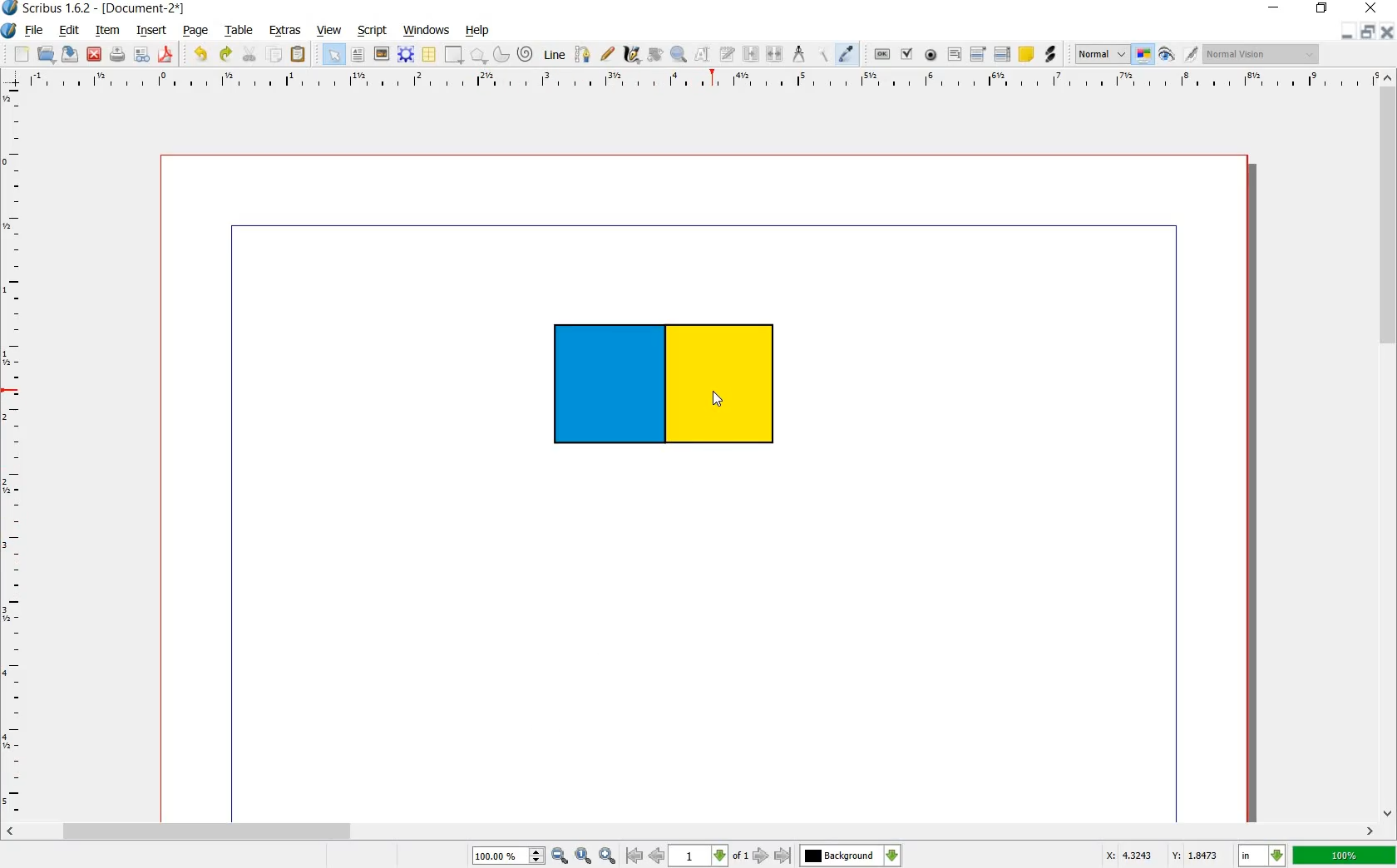 The height and width of the screenshot is (868, 1397). Describe the element at coordinates (200, 56) in the screenshot. I see `undo` at that location.